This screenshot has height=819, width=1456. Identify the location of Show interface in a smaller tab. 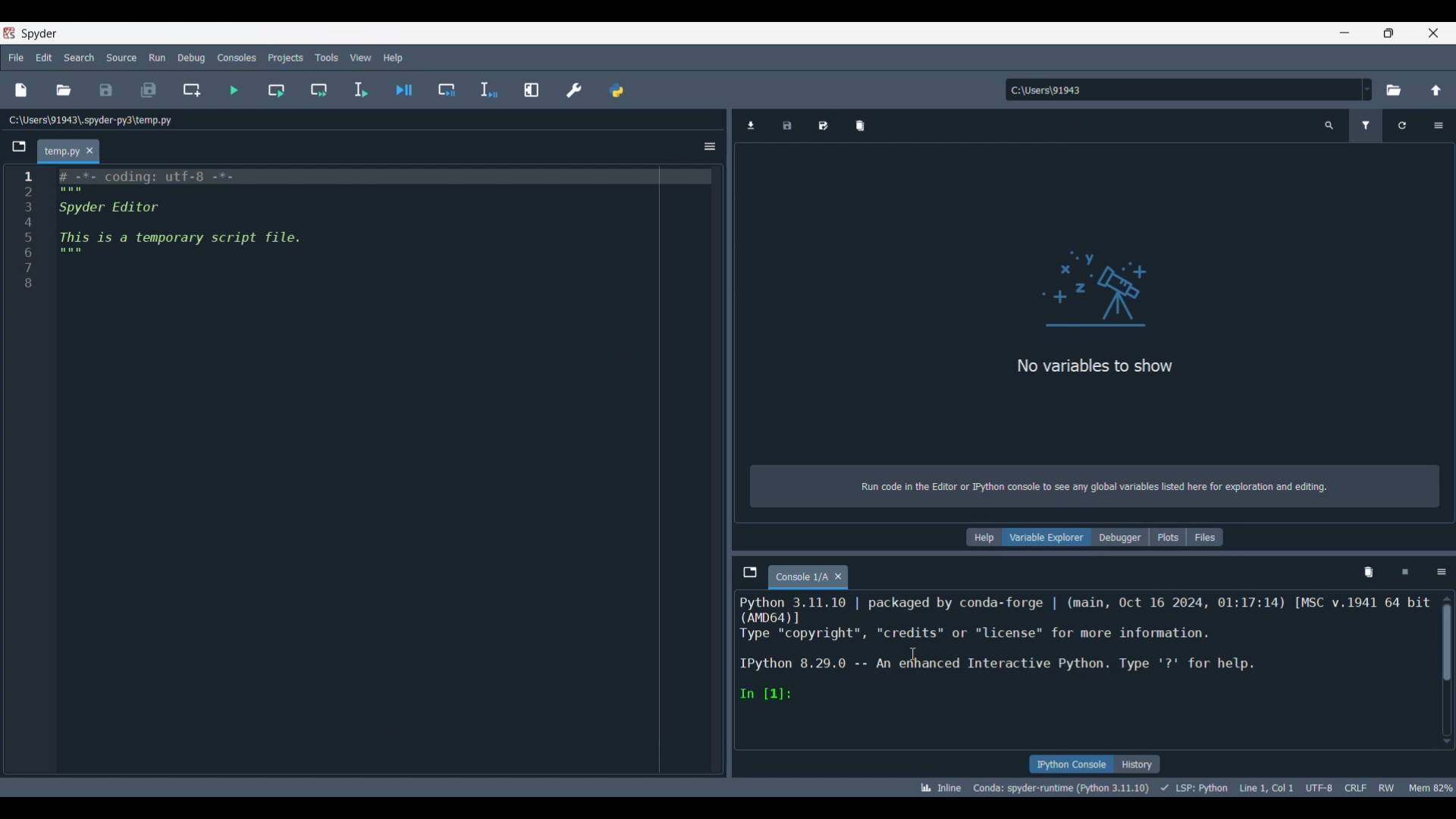
(1389, 33).